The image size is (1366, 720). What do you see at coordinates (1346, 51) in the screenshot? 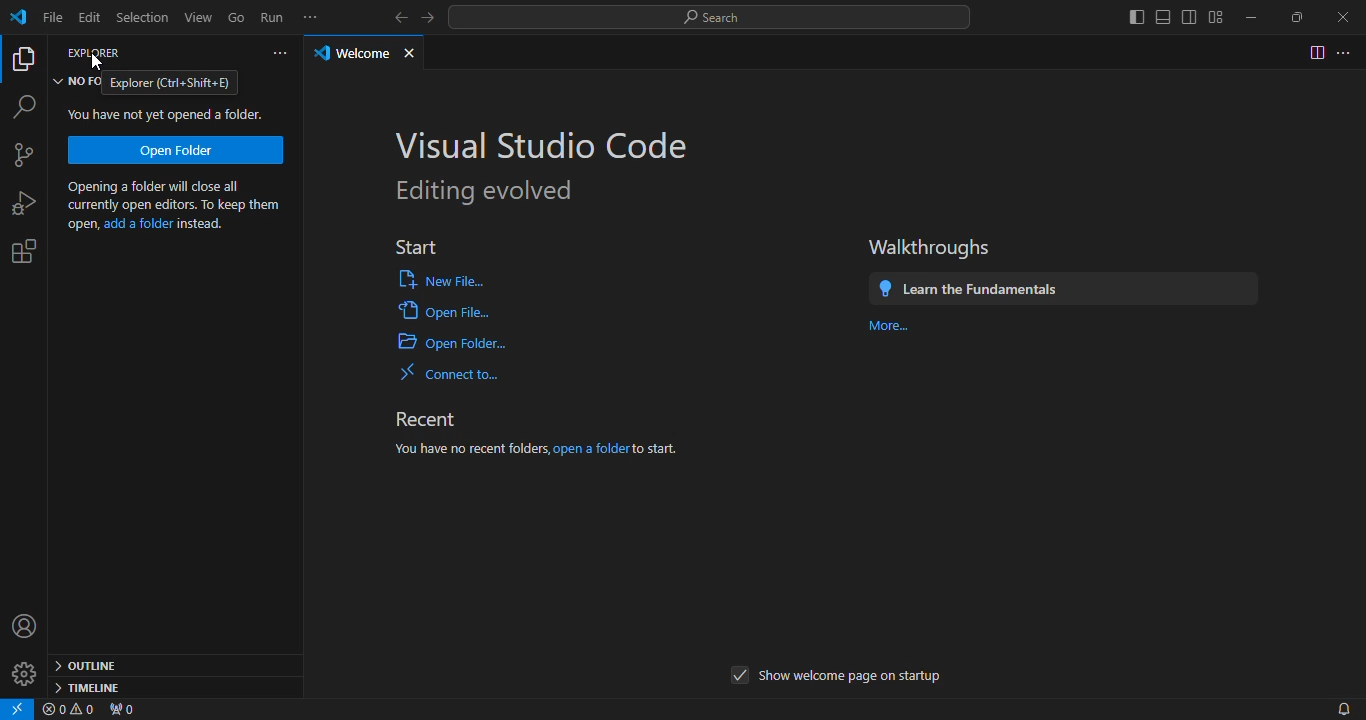
I see `more options` at bounding box center [1346, 51].